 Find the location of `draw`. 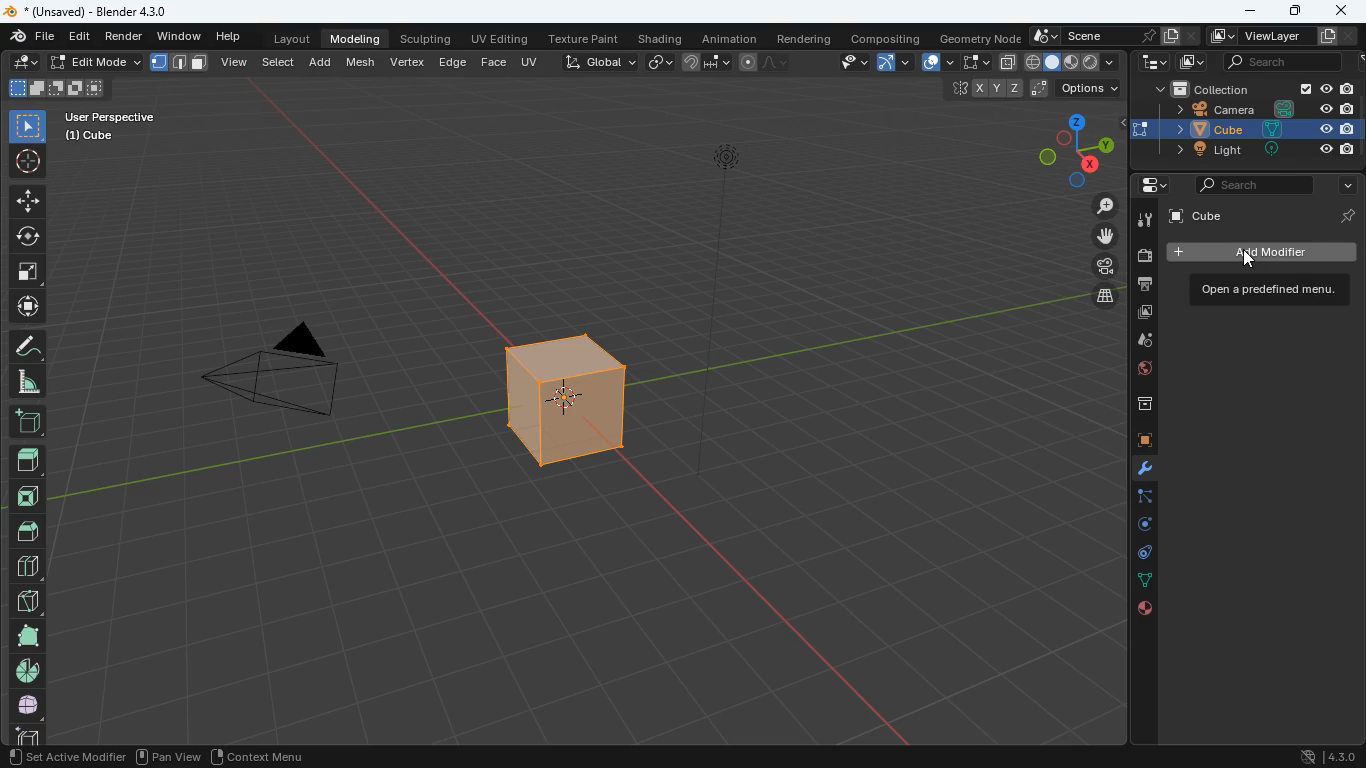

draw is located at coordinates (765, 61).